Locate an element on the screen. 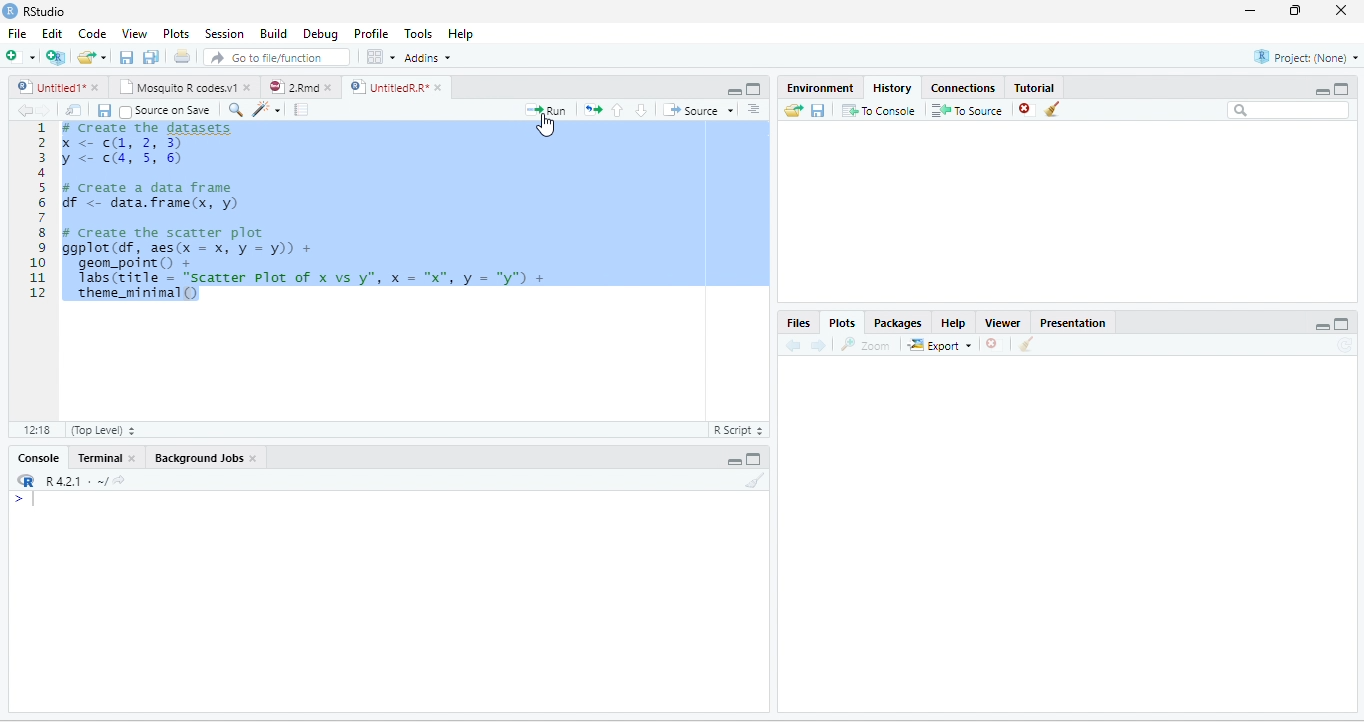  R 4.2.1 . ~/ is located at coordinates (75, 481).